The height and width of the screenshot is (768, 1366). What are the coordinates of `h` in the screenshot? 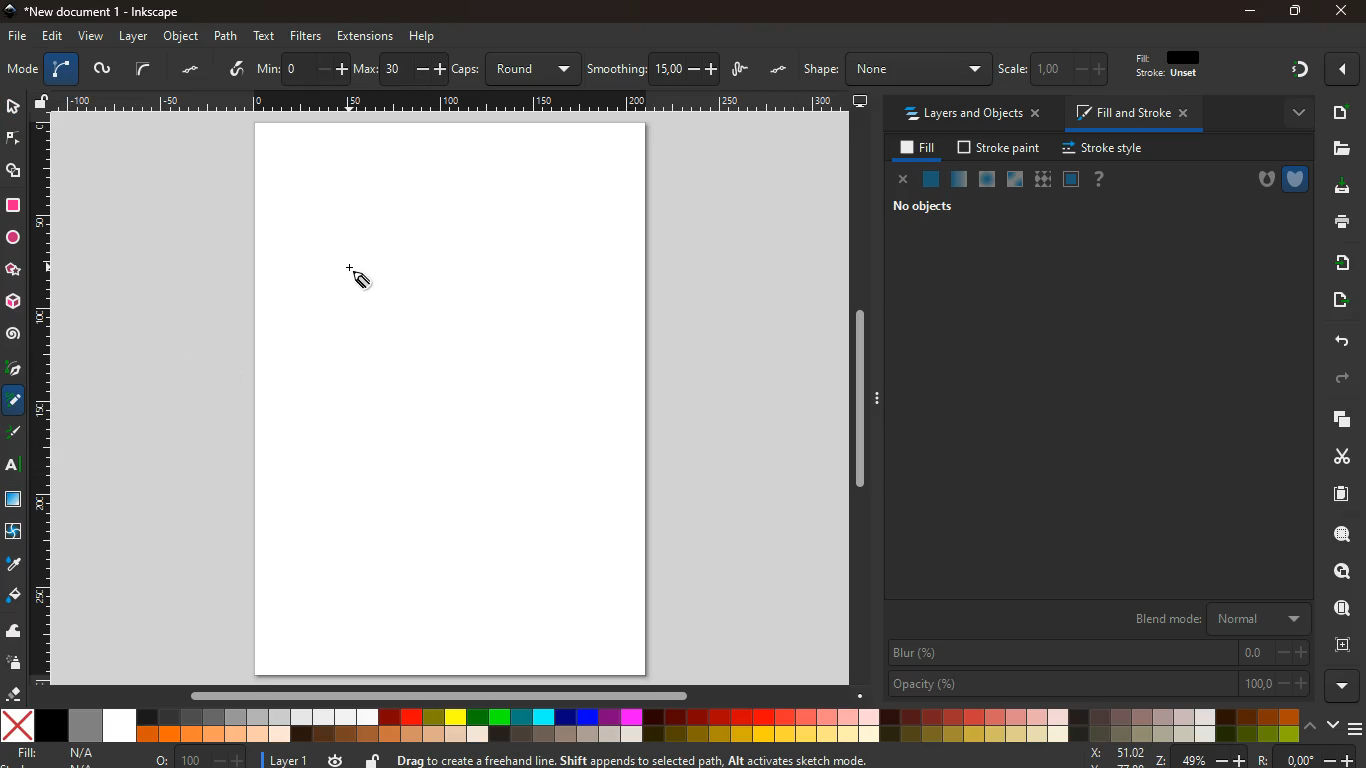 It's located at (895, 69).